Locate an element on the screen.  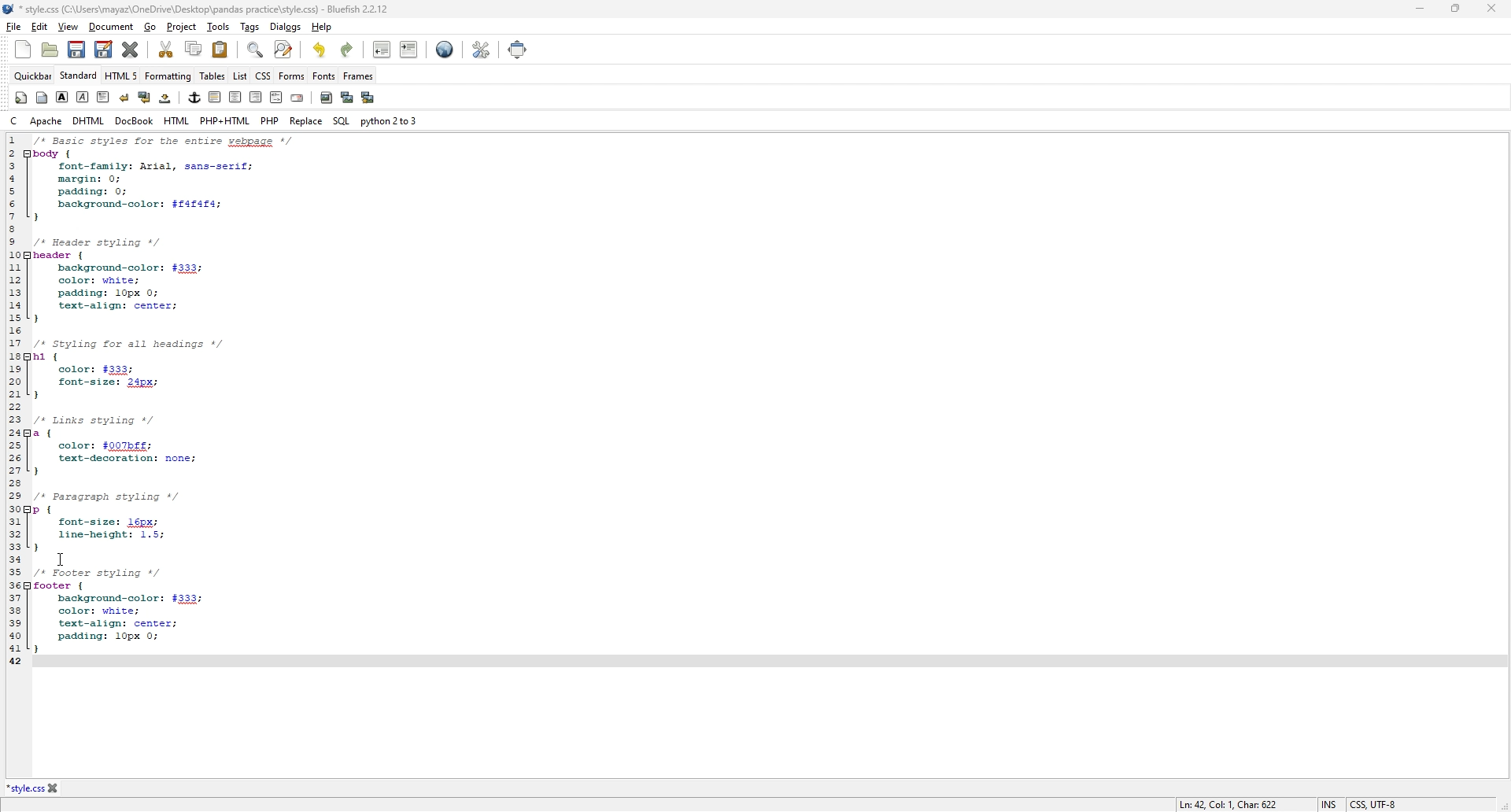
dialogs is located at coordinates (286, 28).